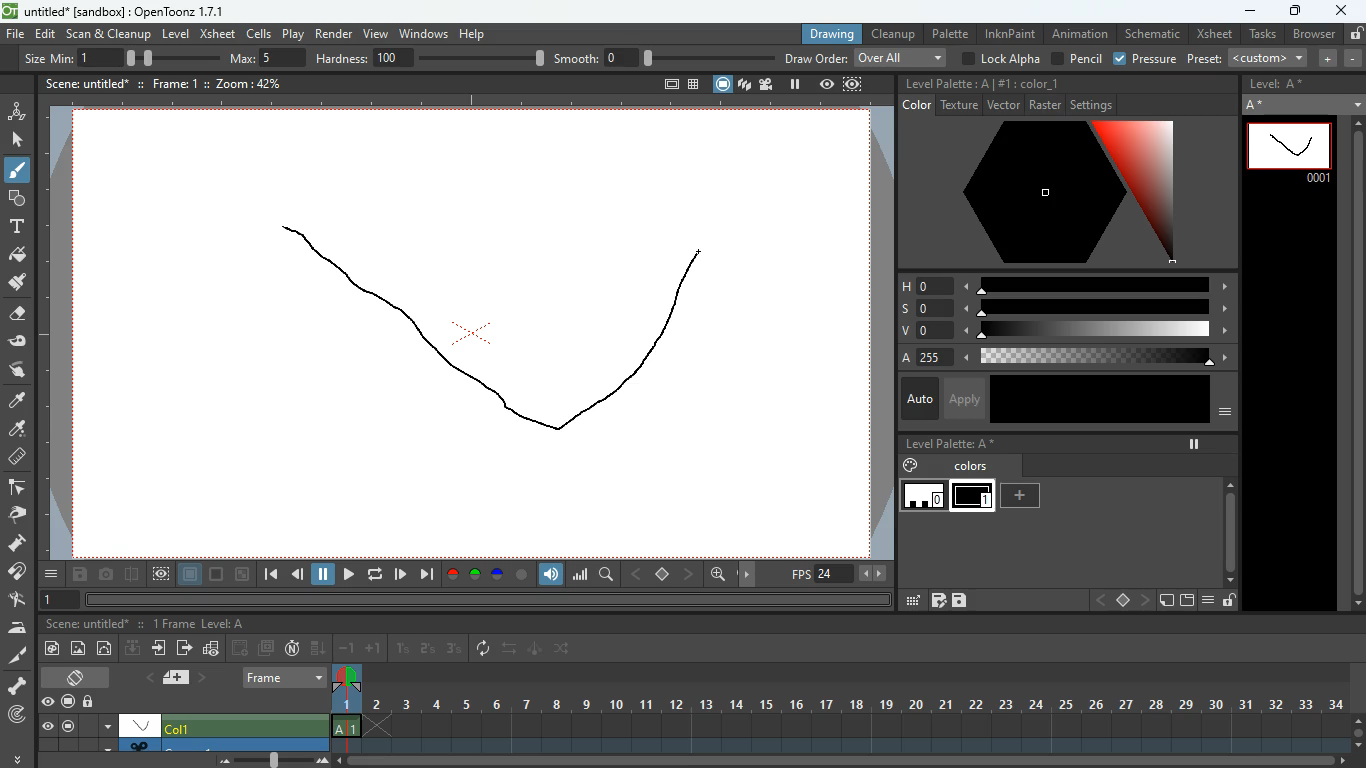 The height and width of the screenshot is (768, 1366). Describe the element at coordinates (1152, 34) in the screenshot. I see `schematic` at that location.